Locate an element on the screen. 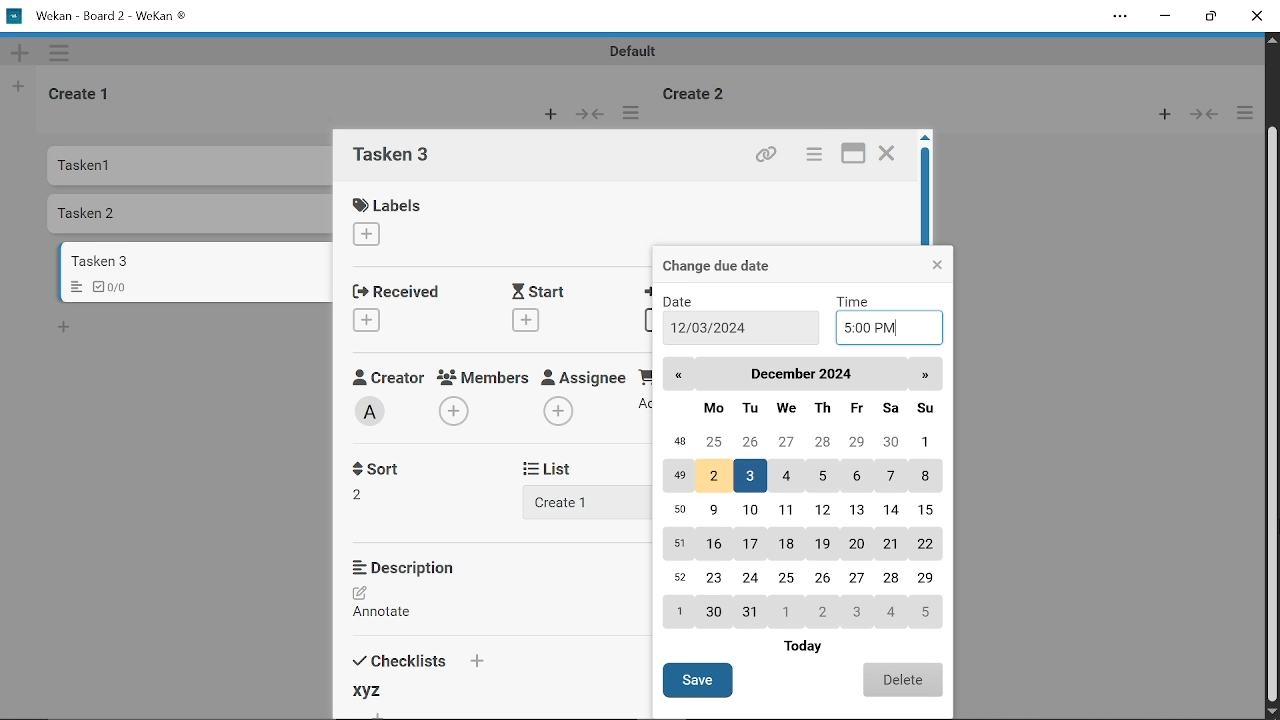 The height and width of the screenshot is (720, 1280). New is located at coordinates (1159, 116).